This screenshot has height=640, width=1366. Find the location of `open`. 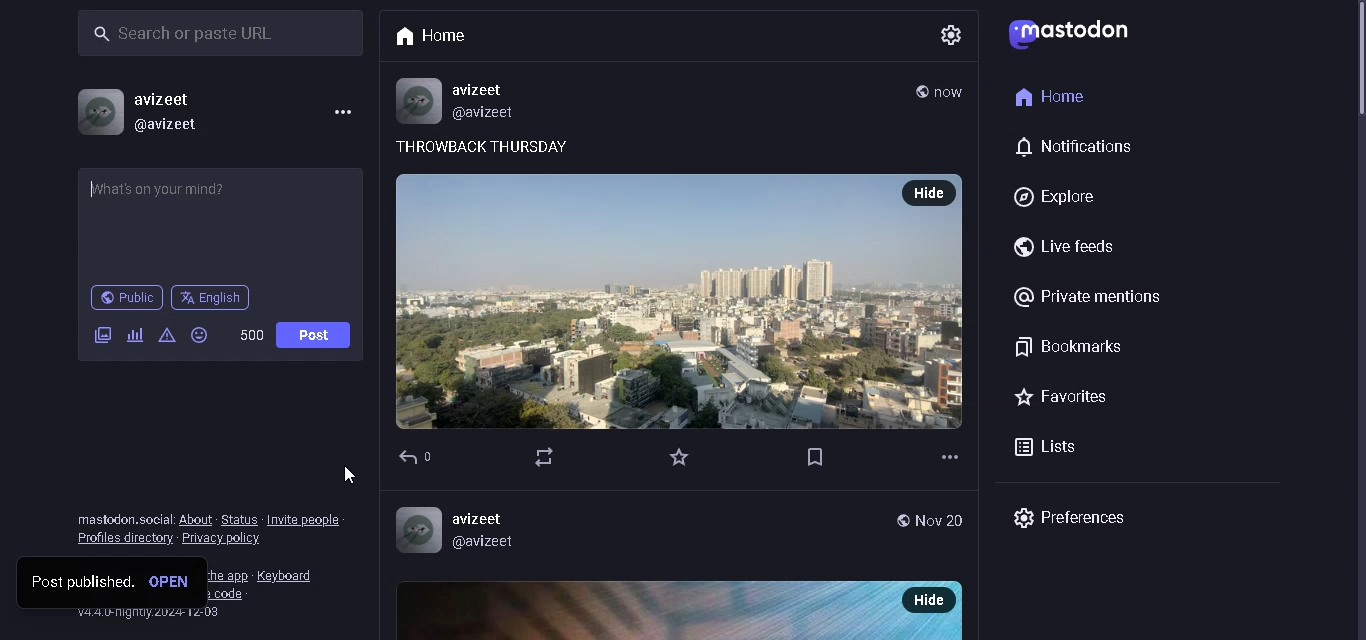

open is located at coordinates (174, 584).